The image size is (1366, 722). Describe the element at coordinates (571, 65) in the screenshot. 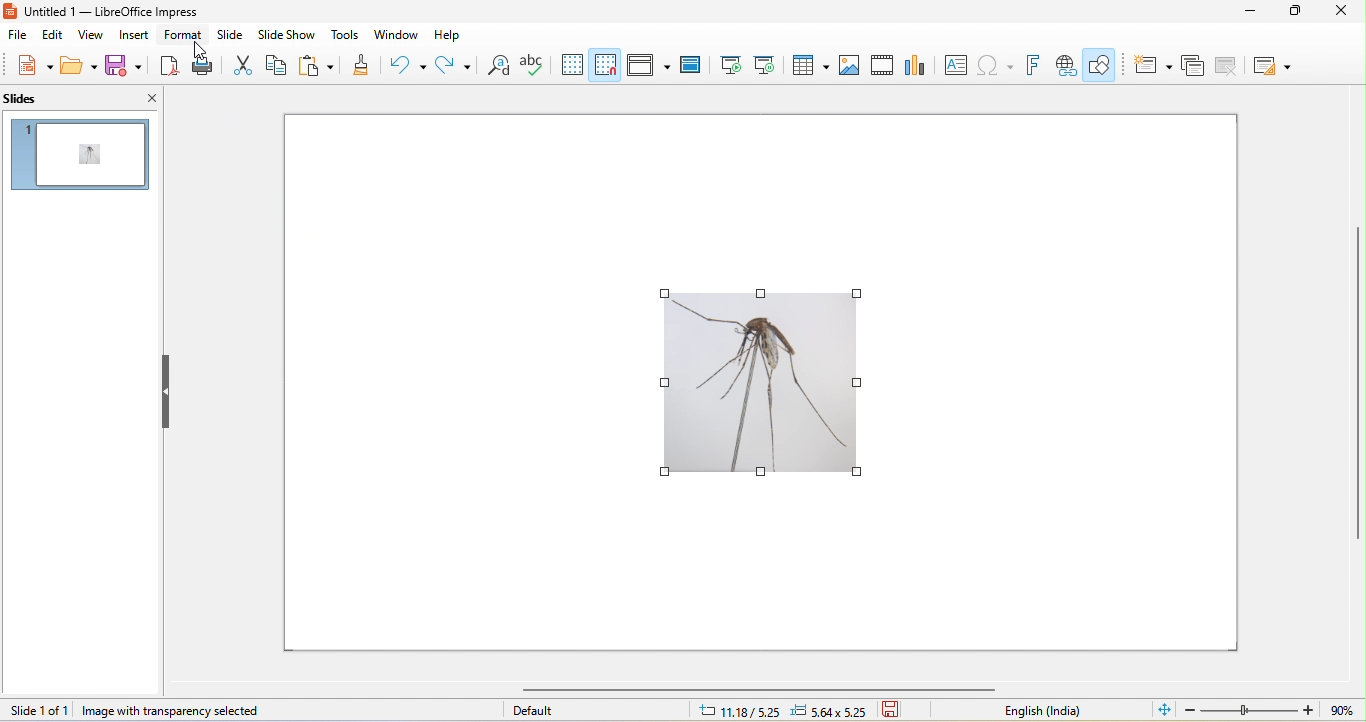

I see `display grid` at that location.